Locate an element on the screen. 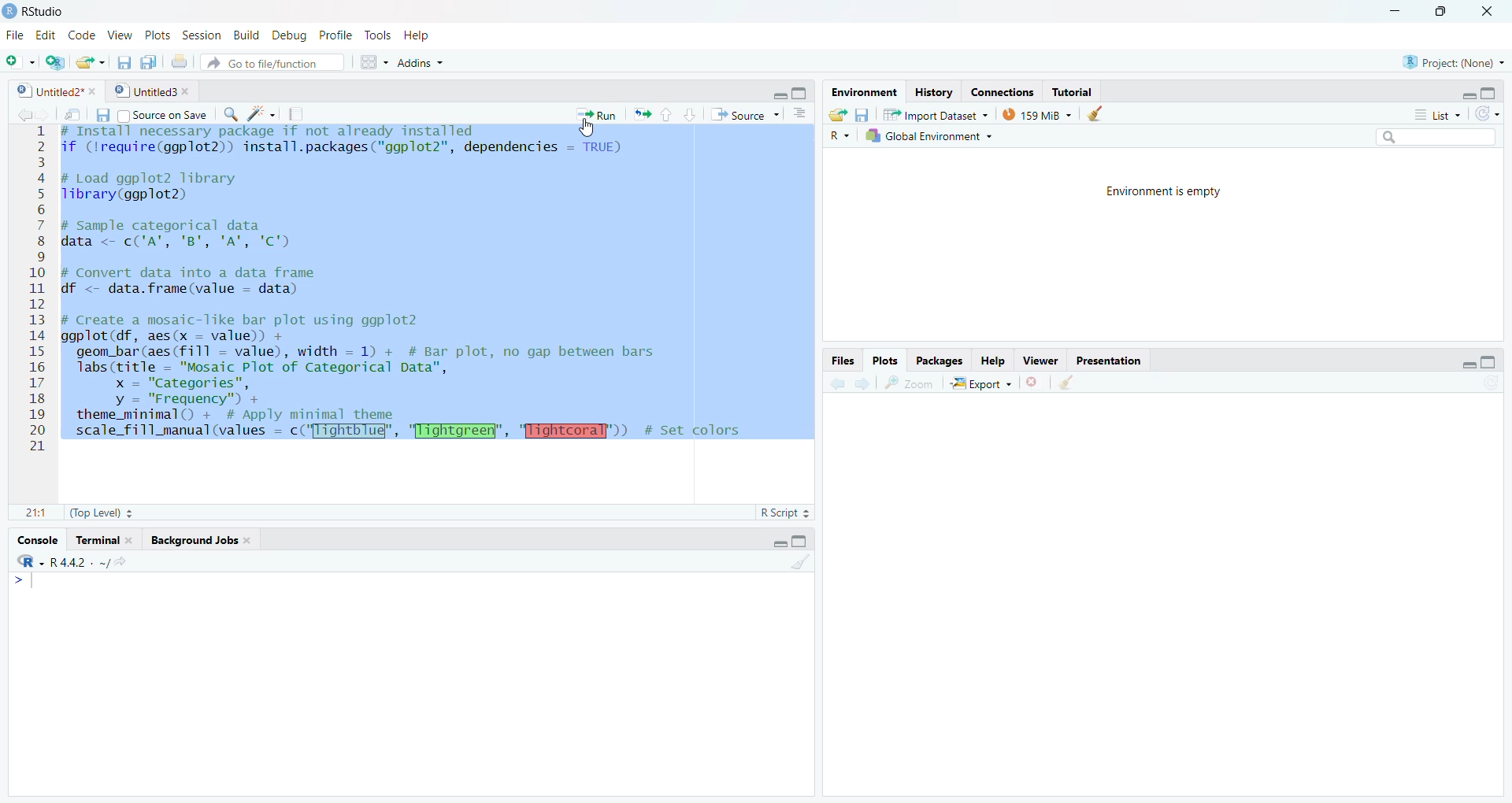  Maximize is located at coordinates (802, 541).